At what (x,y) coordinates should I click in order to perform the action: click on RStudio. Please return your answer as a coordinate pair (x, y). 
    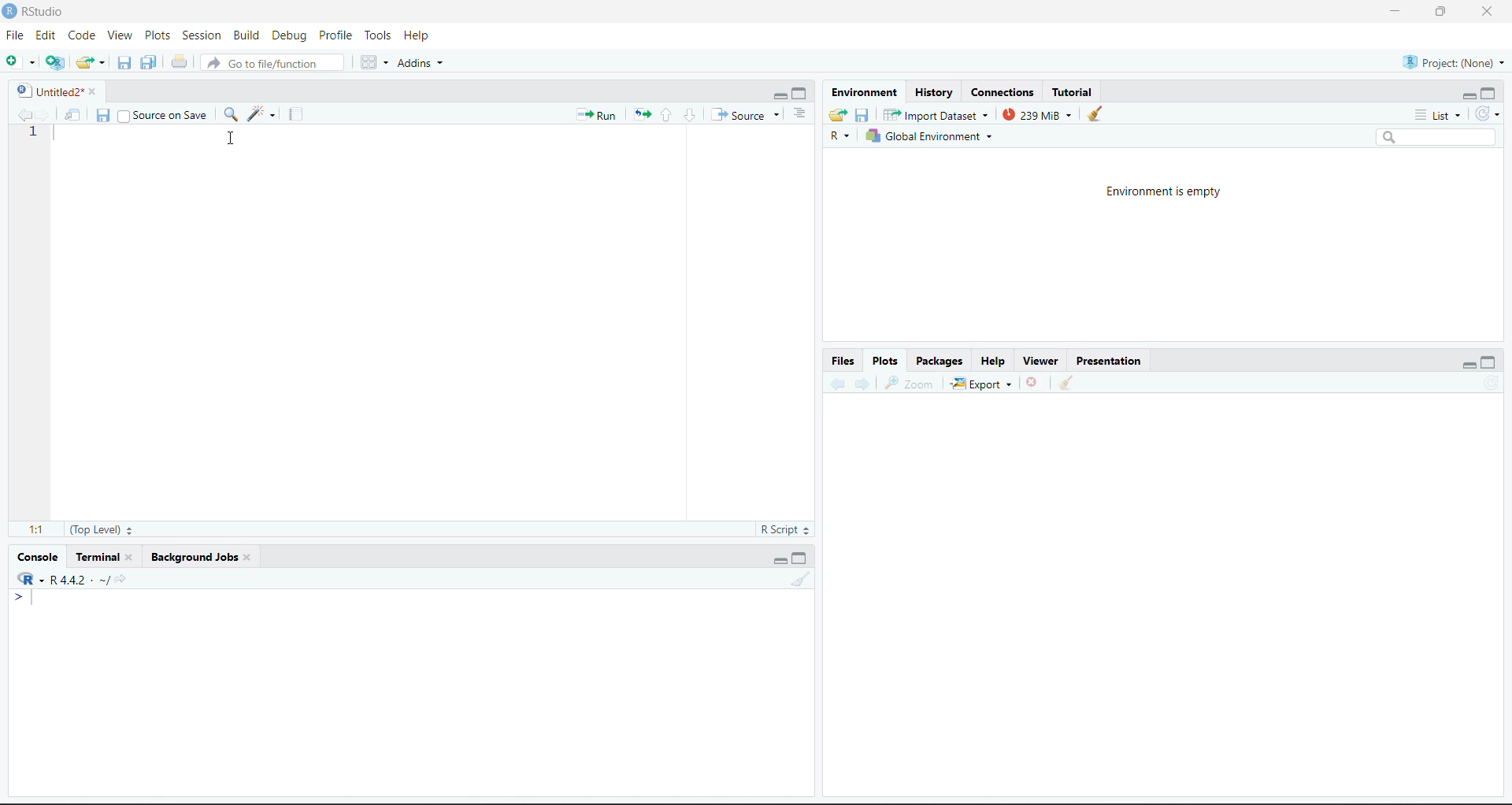
    Looking at the image, I should click on (36, 13).